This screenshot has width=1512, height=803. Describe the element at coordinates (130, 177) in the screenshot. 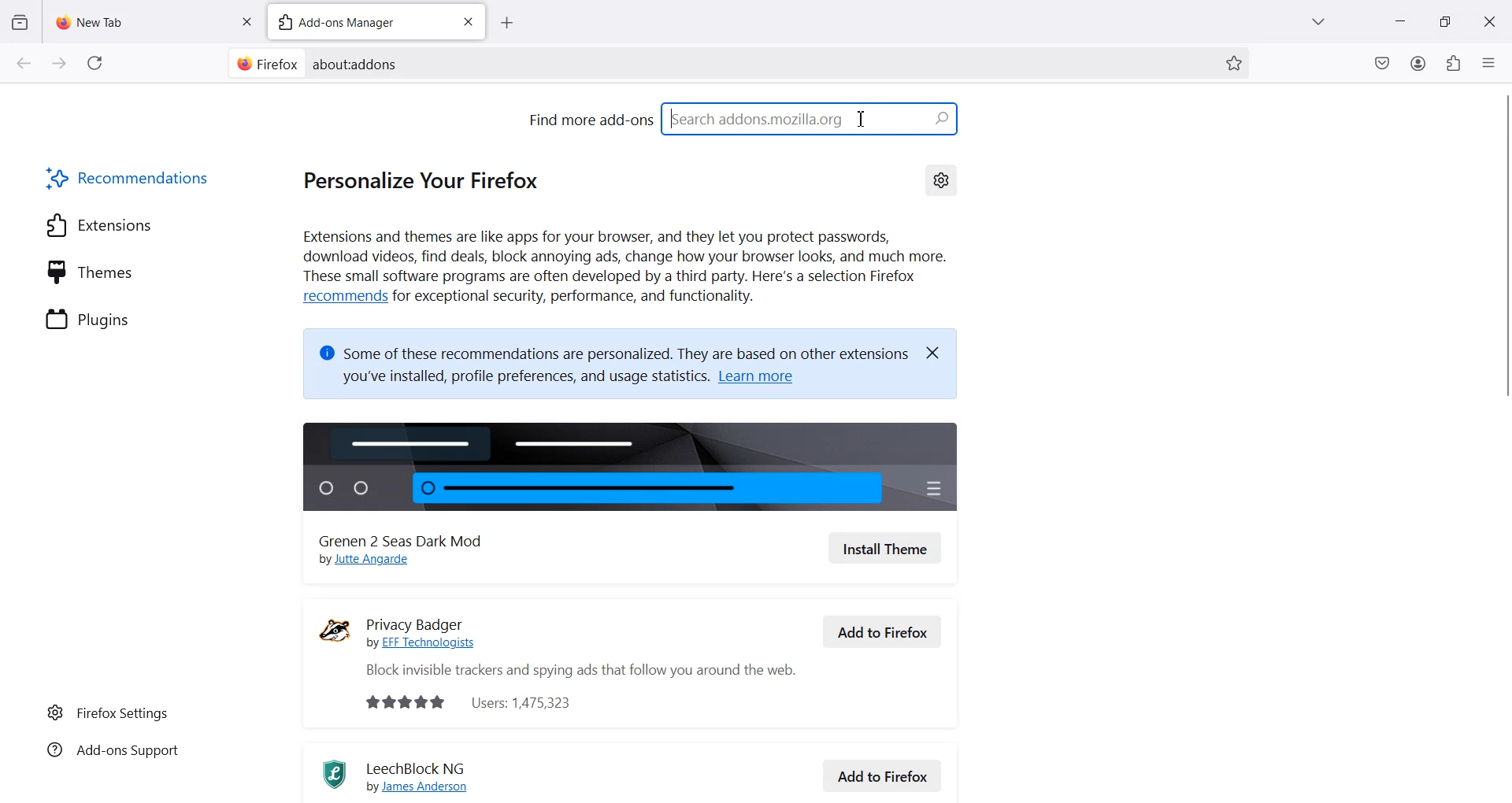

I see `Recommendations` at that location.